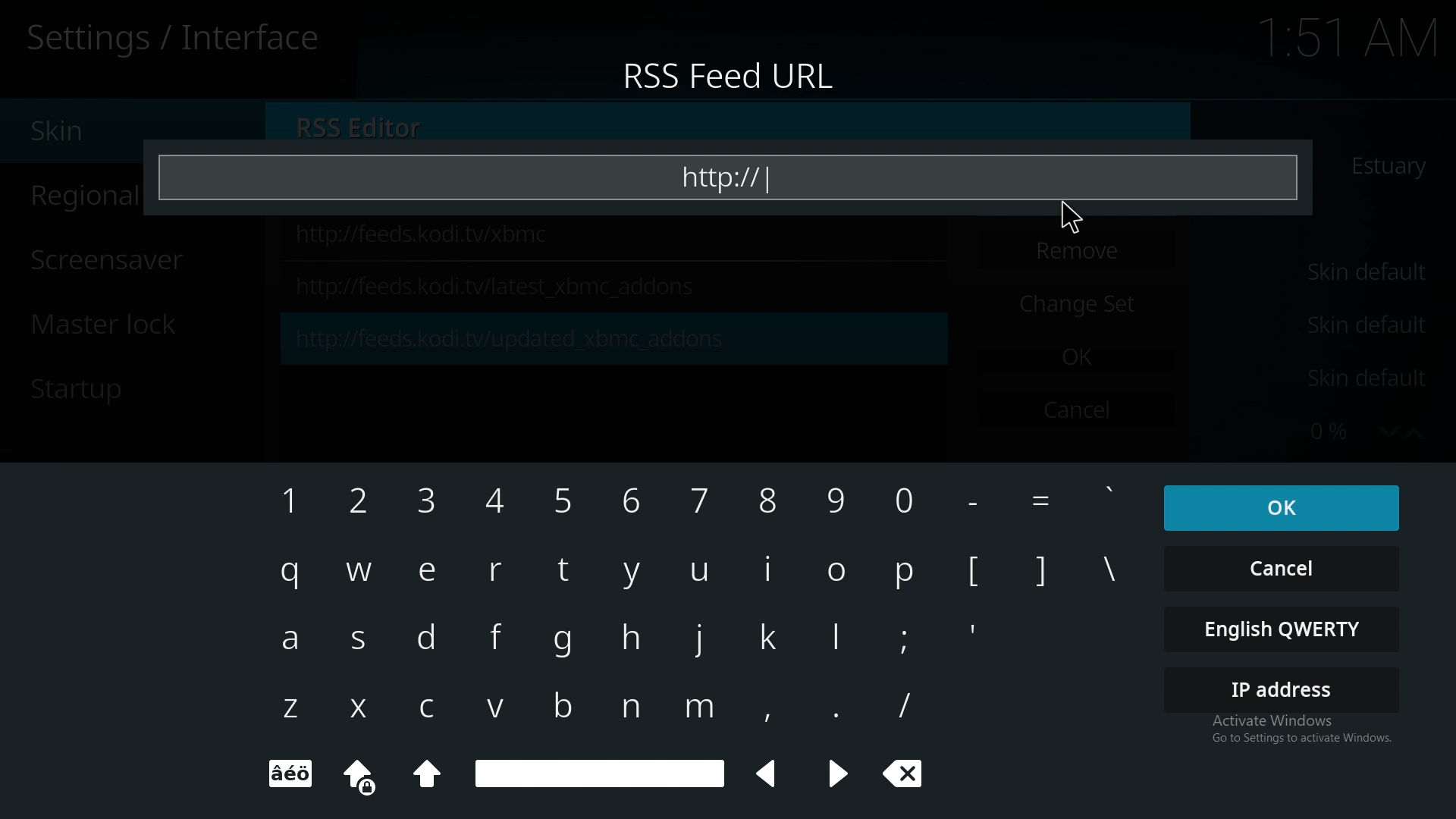  I want to click on r, so click(495, 575).